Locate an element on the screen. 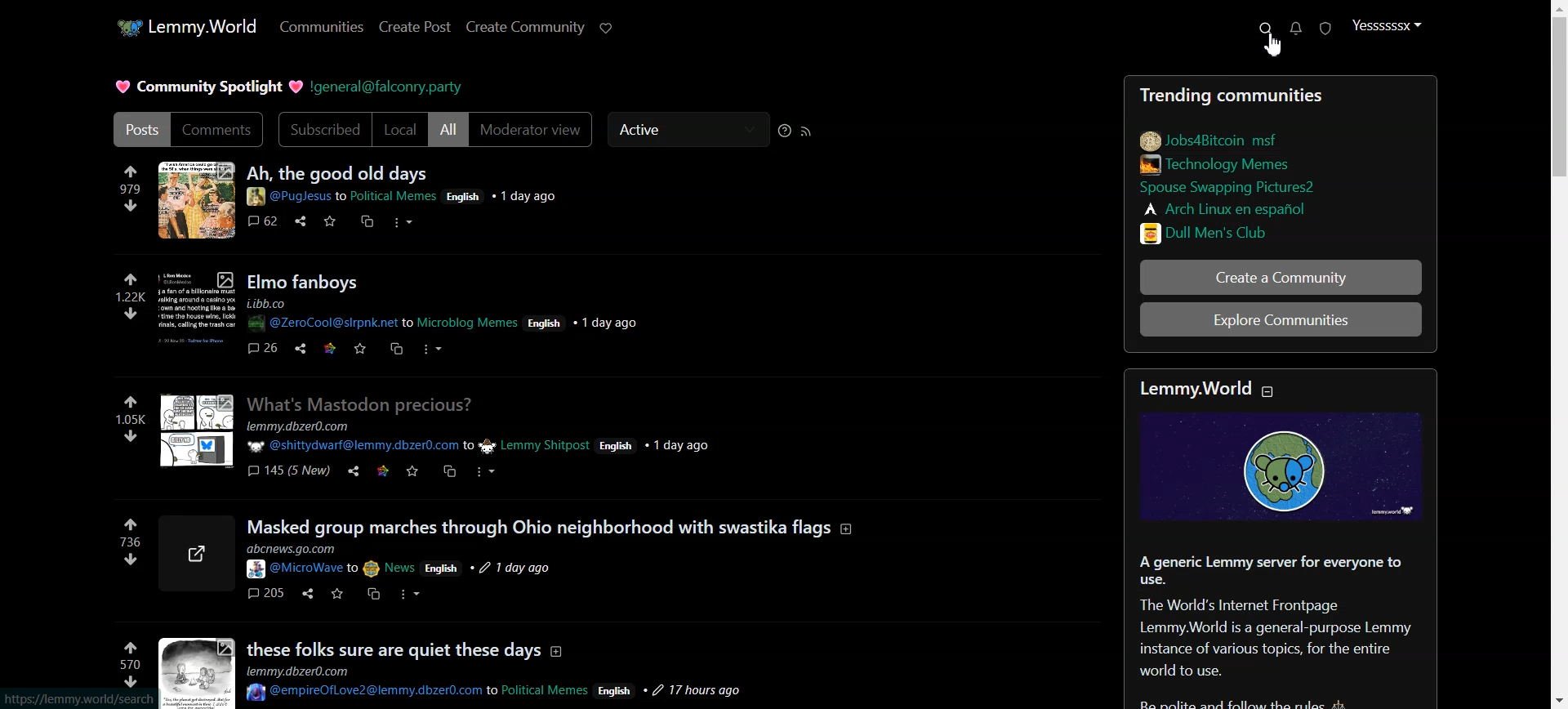  Vertical scroll bar is located at coordinates (1558, 354).